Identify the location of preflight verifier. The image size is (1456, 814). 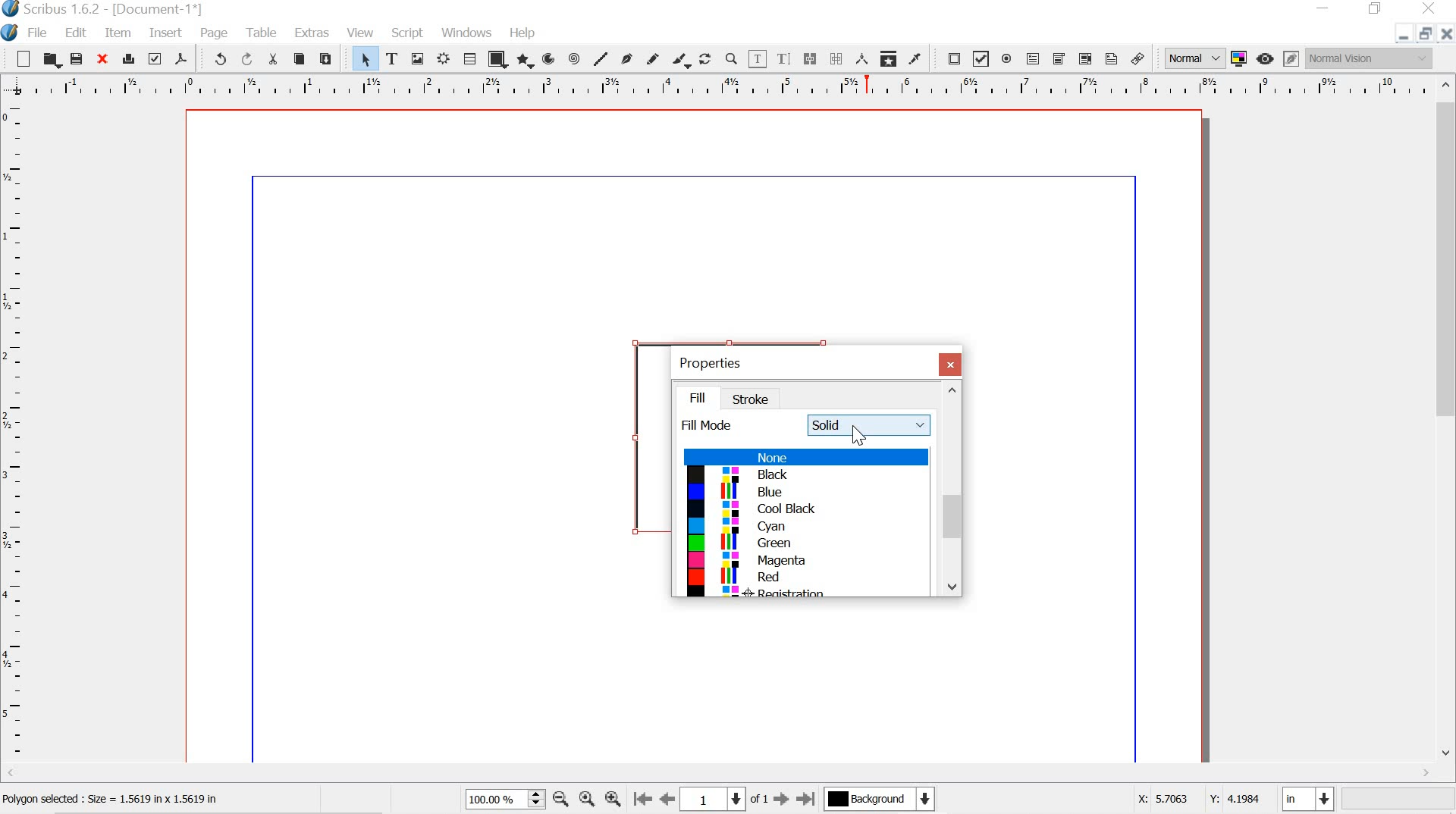
(156, 61).